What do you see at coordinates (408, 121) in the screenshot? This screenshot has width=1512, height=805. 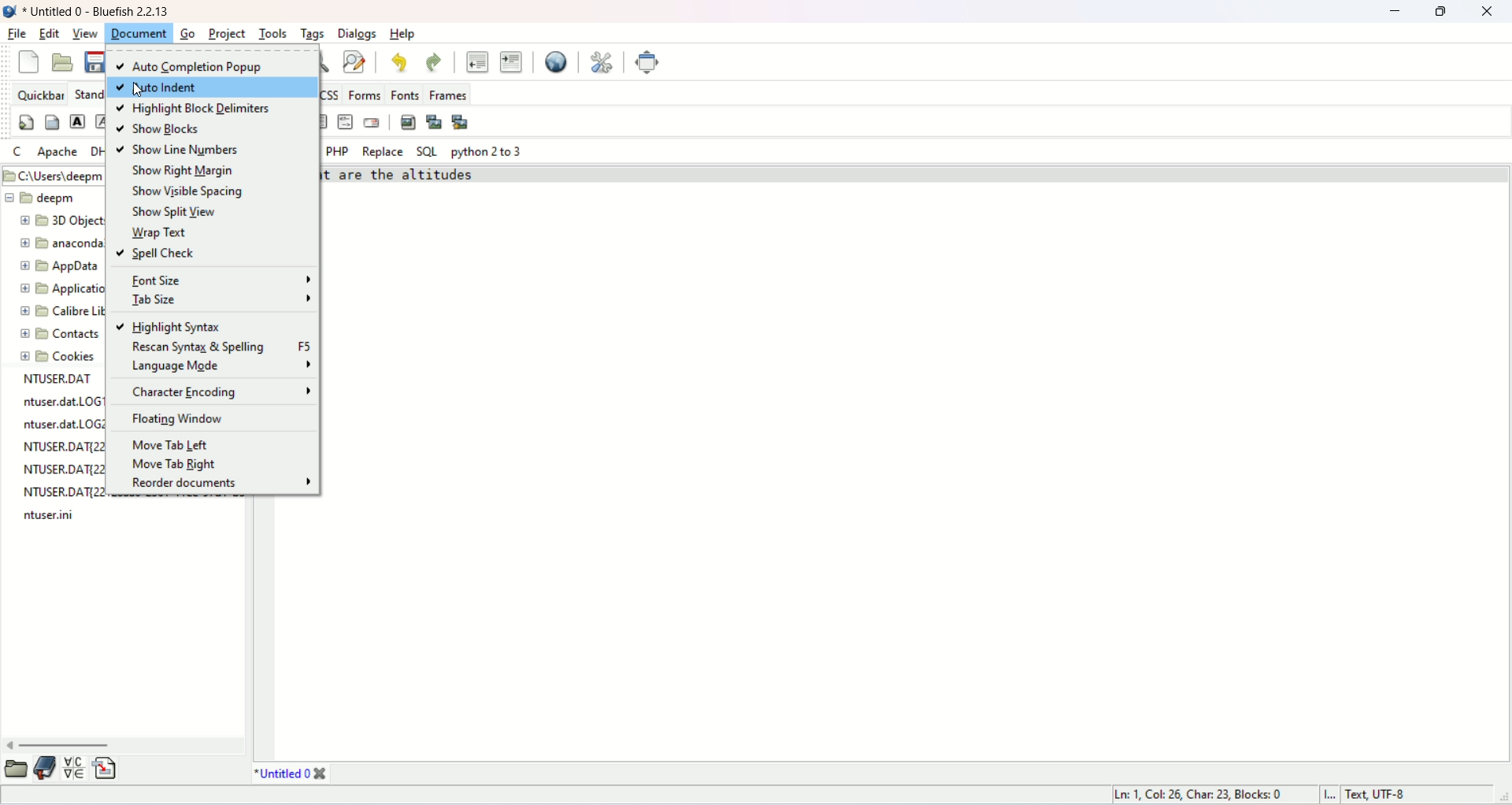 I see `insert images` at bounding box center [408, 121].